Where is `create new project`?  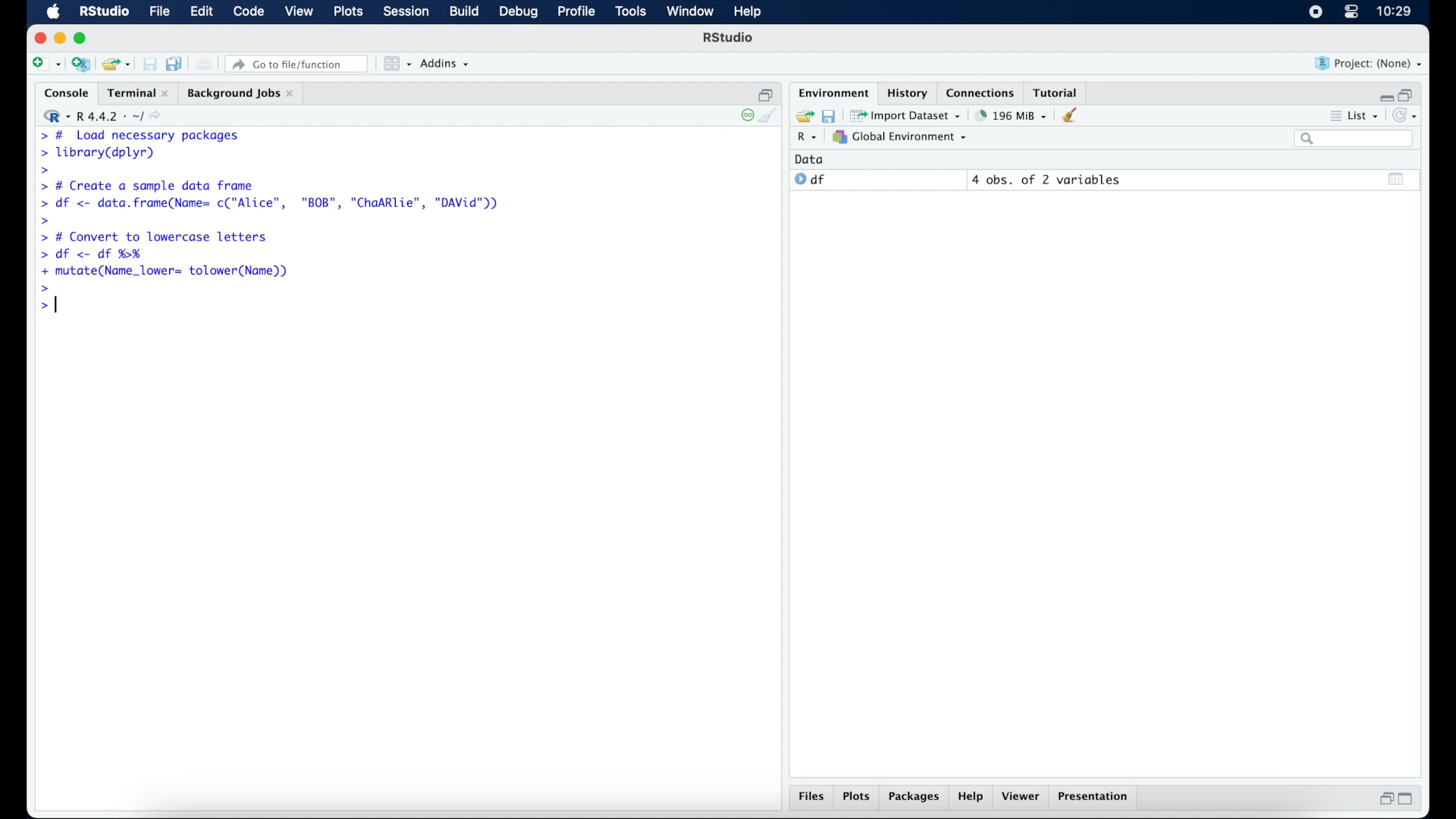 create new project is located at coordinates (81, 65).